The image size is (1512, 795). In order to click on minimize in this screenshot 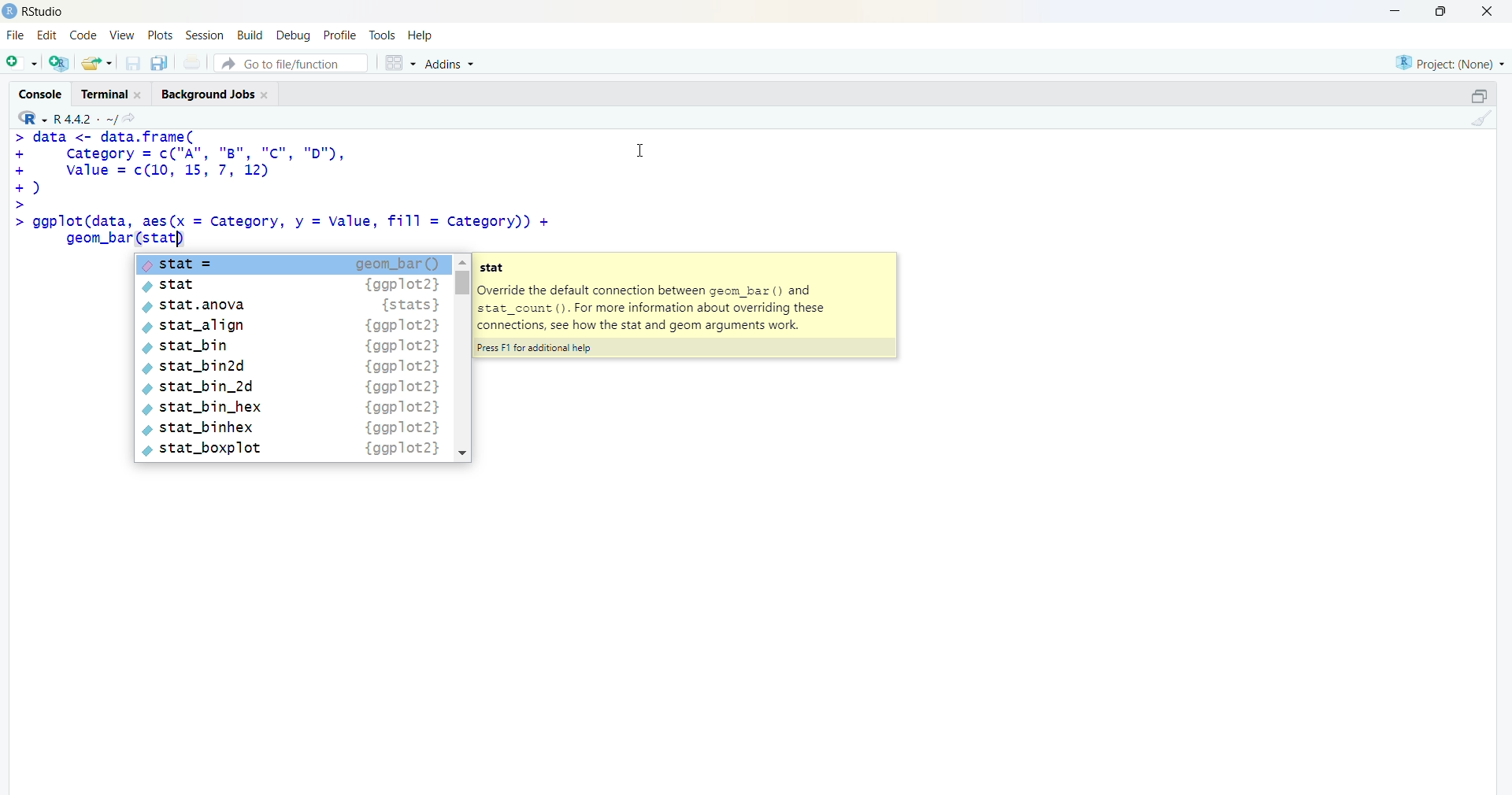, I will do `click(1400, 11)`.